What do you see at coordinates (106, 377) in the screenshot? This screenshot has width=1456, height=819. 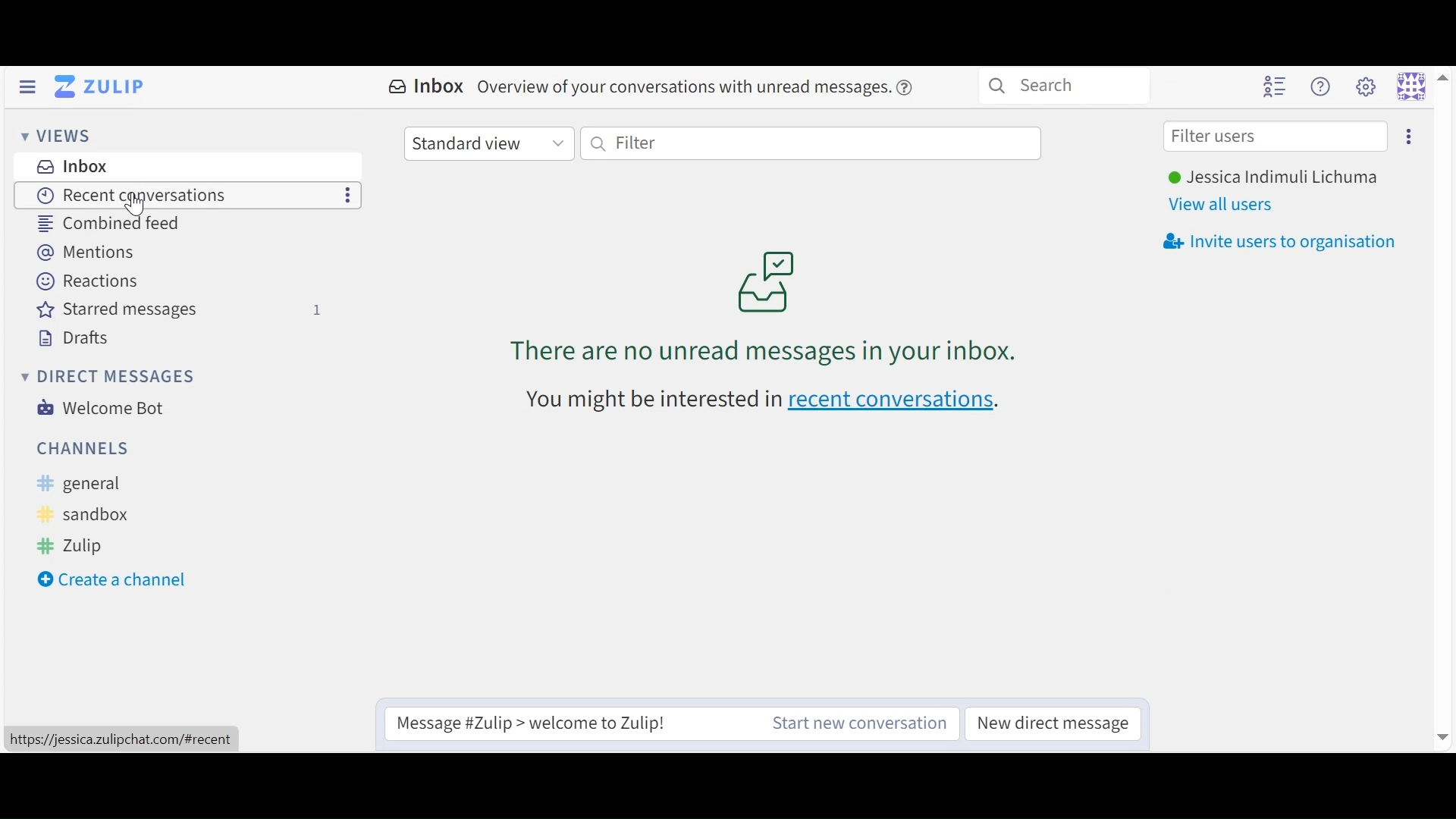 I see `Direct Messages` at bounding box center [106, 377].